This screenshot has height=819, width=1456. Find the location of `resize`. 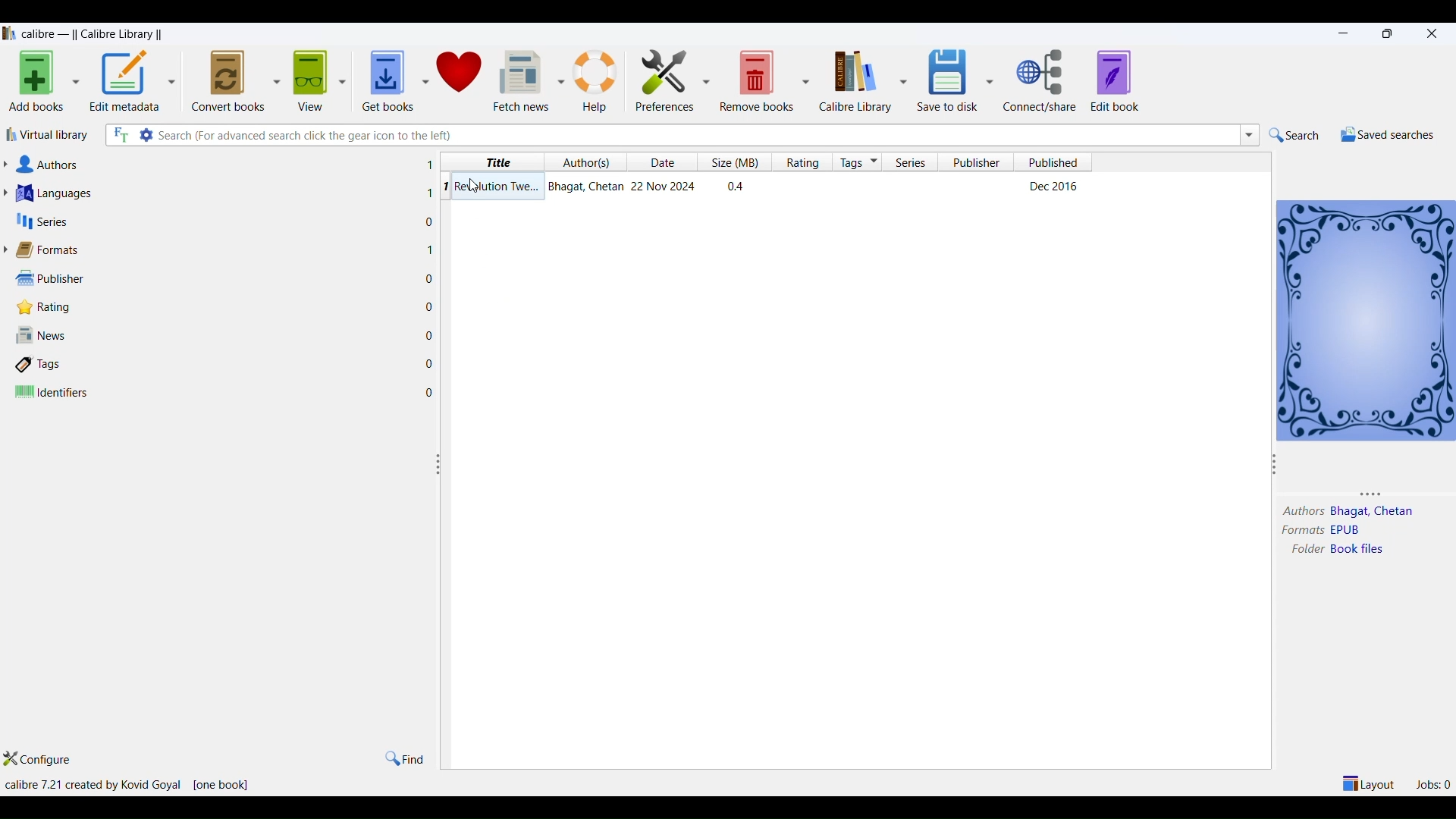

resize is located at coordinates (439, 467).